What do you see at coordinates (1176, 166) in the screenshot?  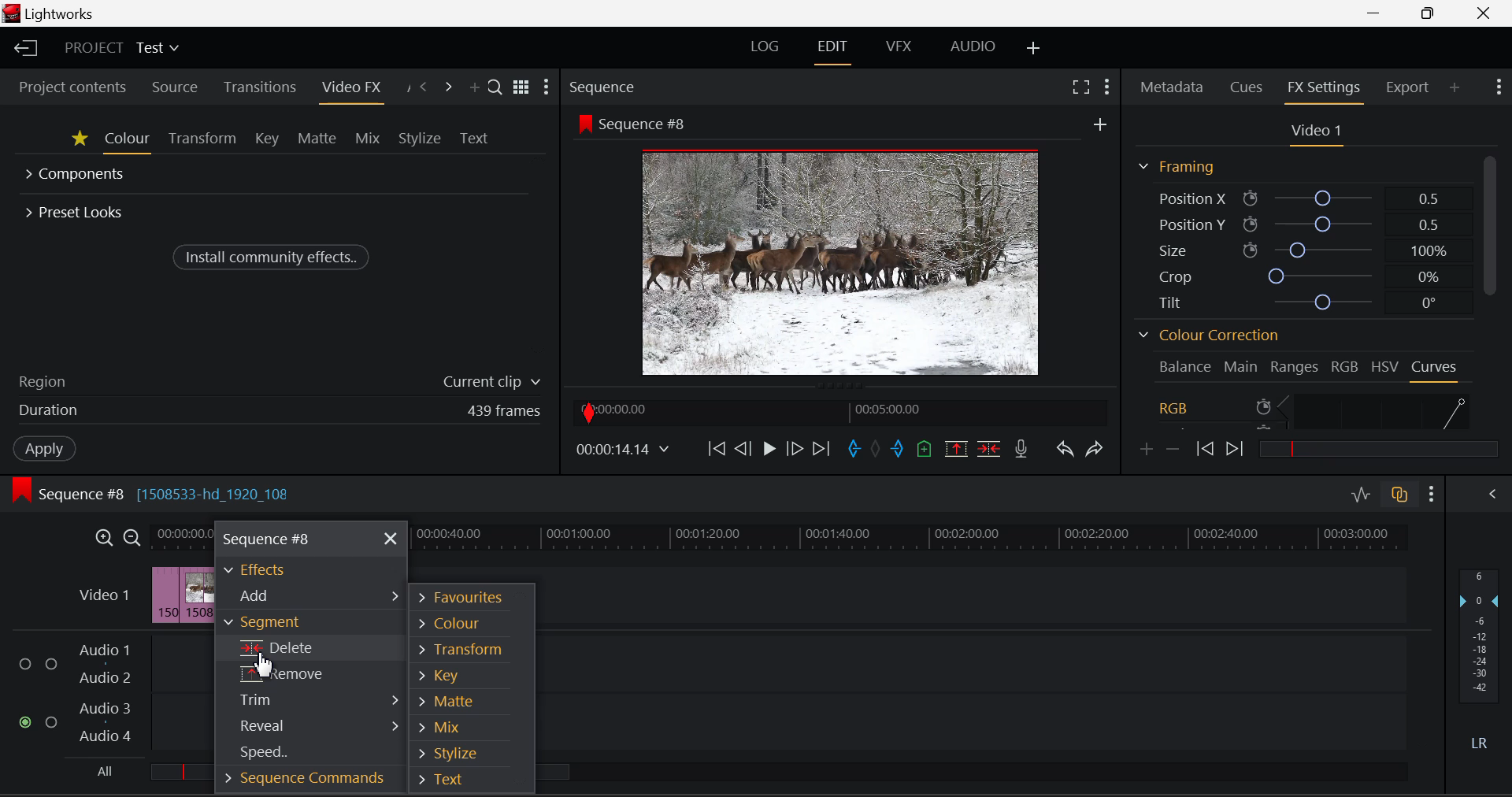 I see `Framing Section` at bounding box center [1176, 166].